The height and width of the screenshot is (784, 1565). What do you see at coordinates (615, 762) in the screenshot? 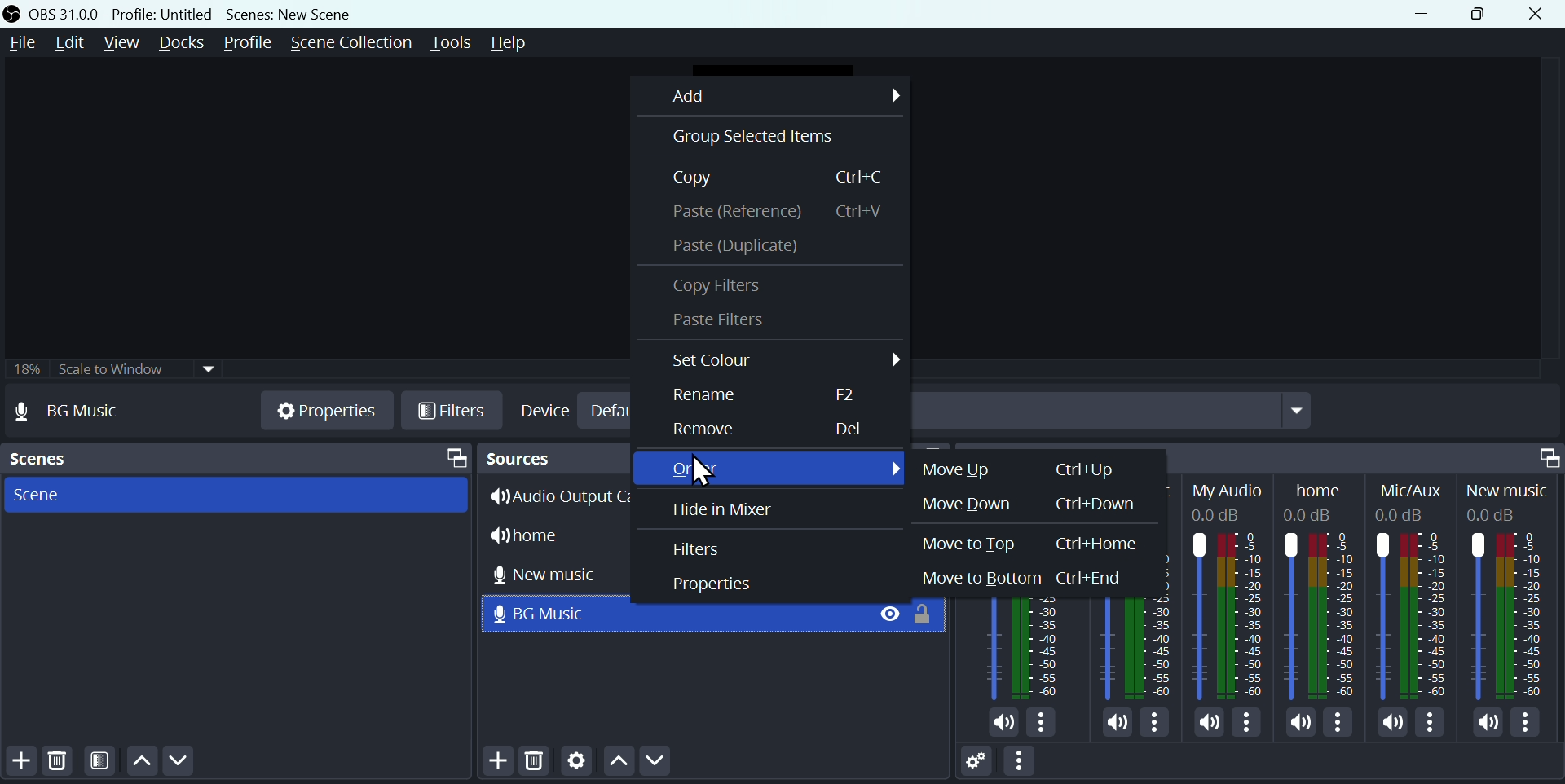
I see `Up` at bounding box center [615, 762].